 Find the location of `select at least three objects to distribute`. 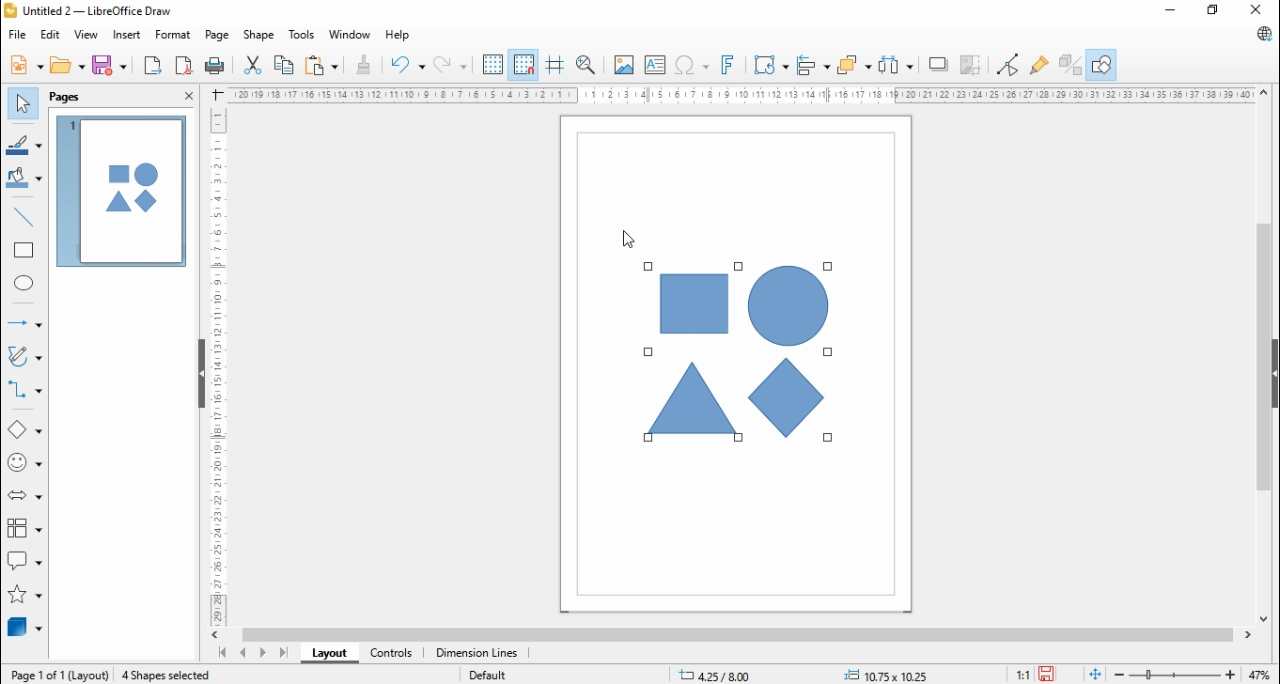

select at least three objects to distribute is located at coordinates (895, 66).